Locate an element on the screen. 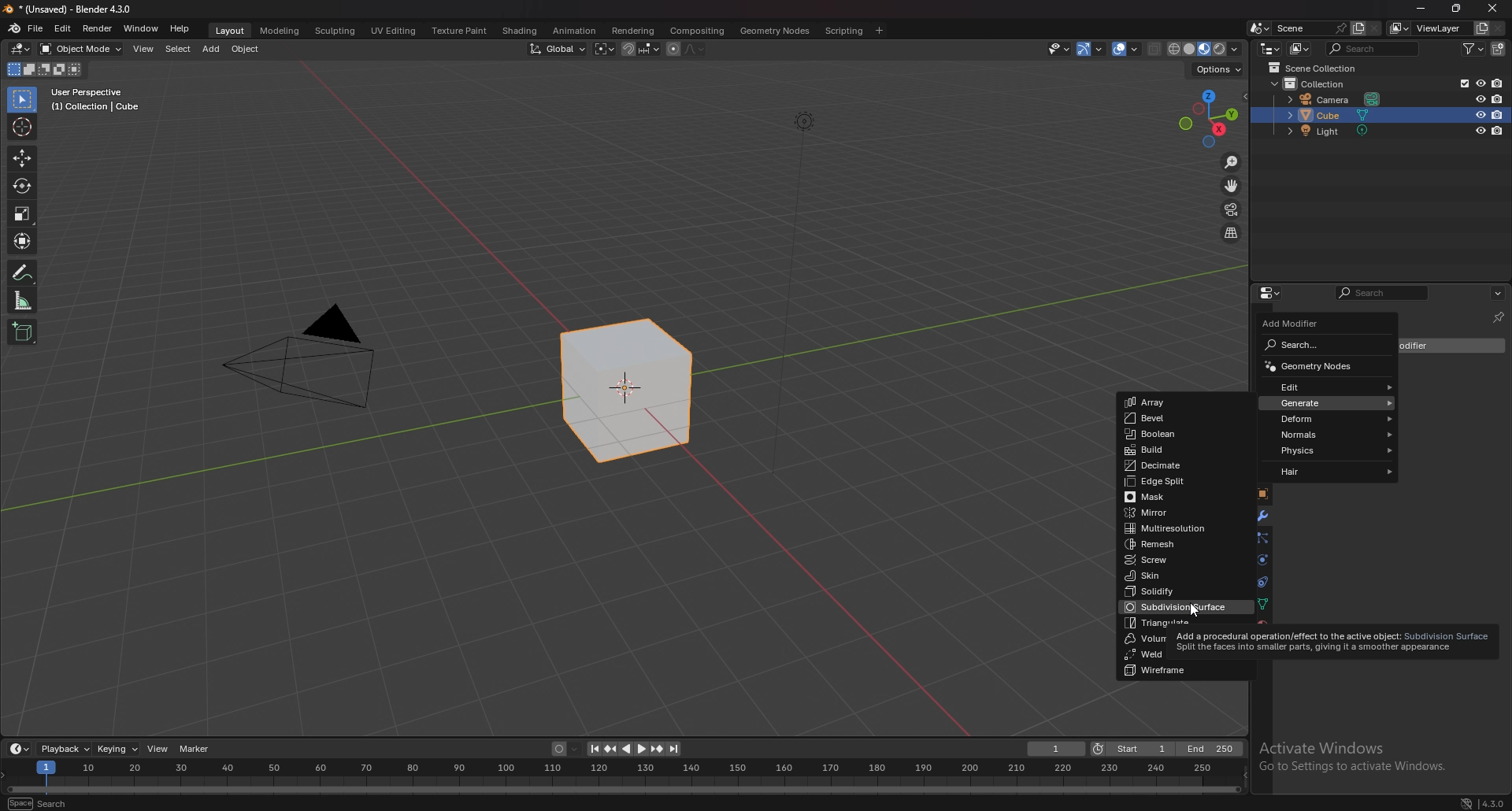 The height and width of the screenshot is (811, 1512). hide in viewport is located at coordinates (1480, 83).